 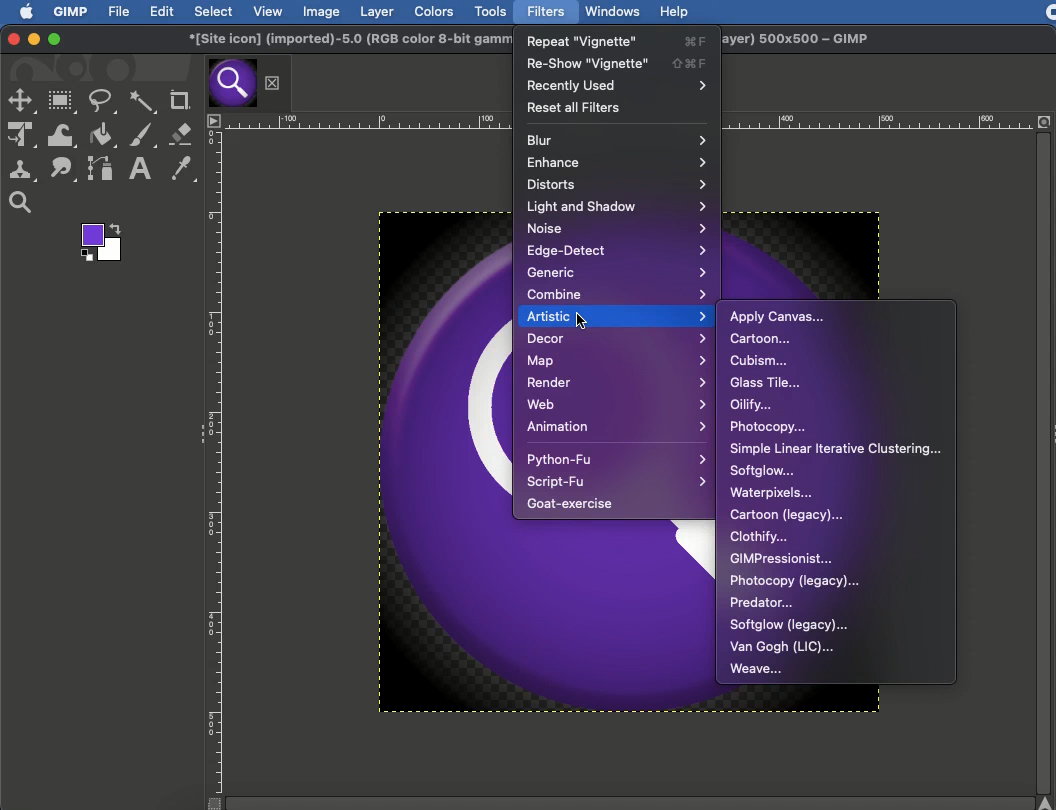 What do you see at coordinates (778, 316) in the screenshot?
I see `Apply canvas` at bounding box center [778, 316].